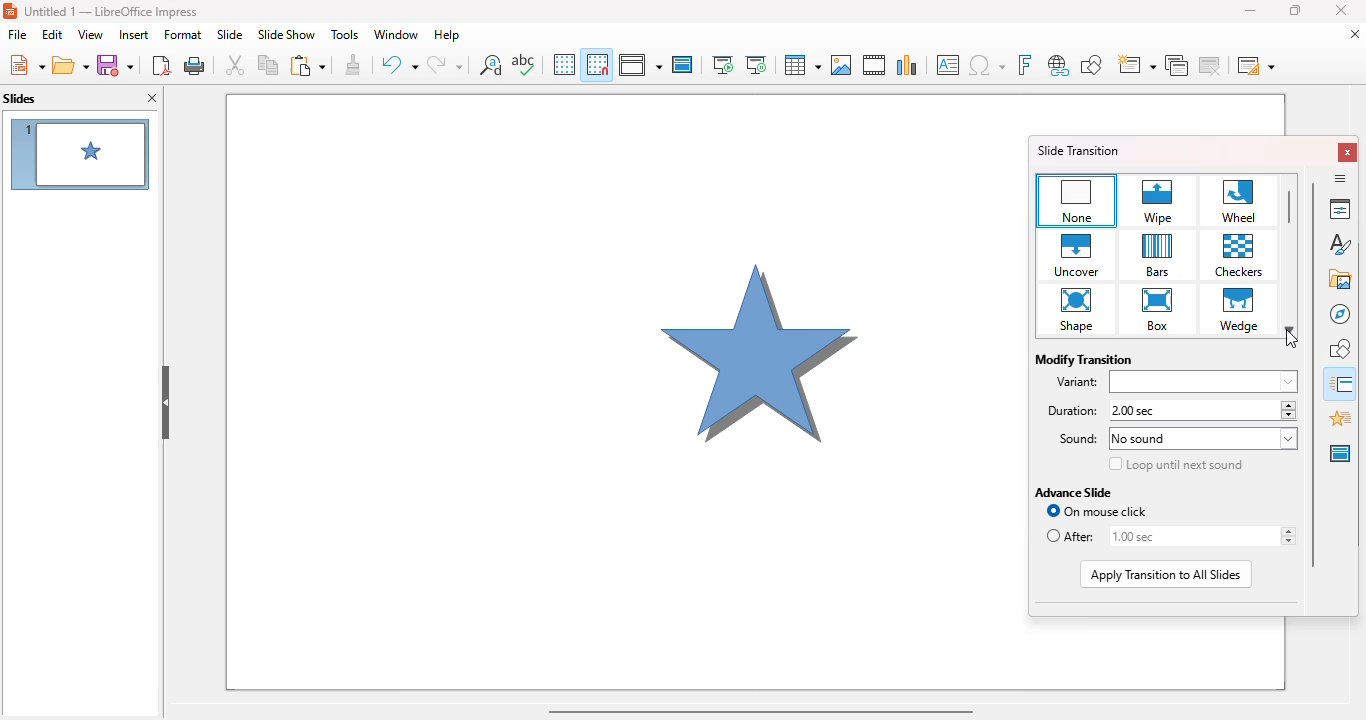  What do you see at coordinates (1287, 404) in the screenshot?
I see `increase duration` at bounding box center [1287, 404].